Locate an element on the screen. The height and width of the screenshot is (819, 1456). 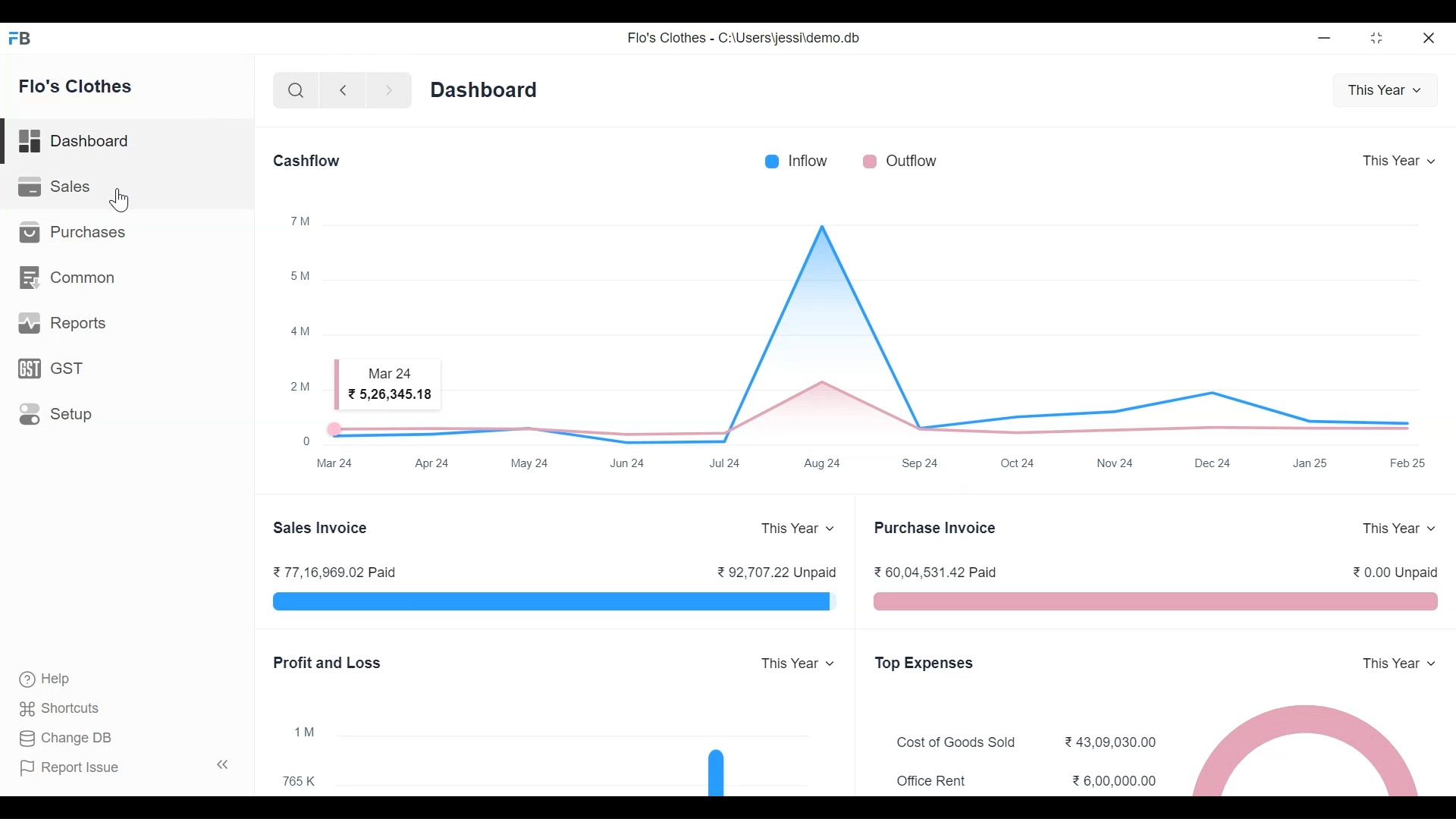
Cashflow is located at coordinates (306, 159).